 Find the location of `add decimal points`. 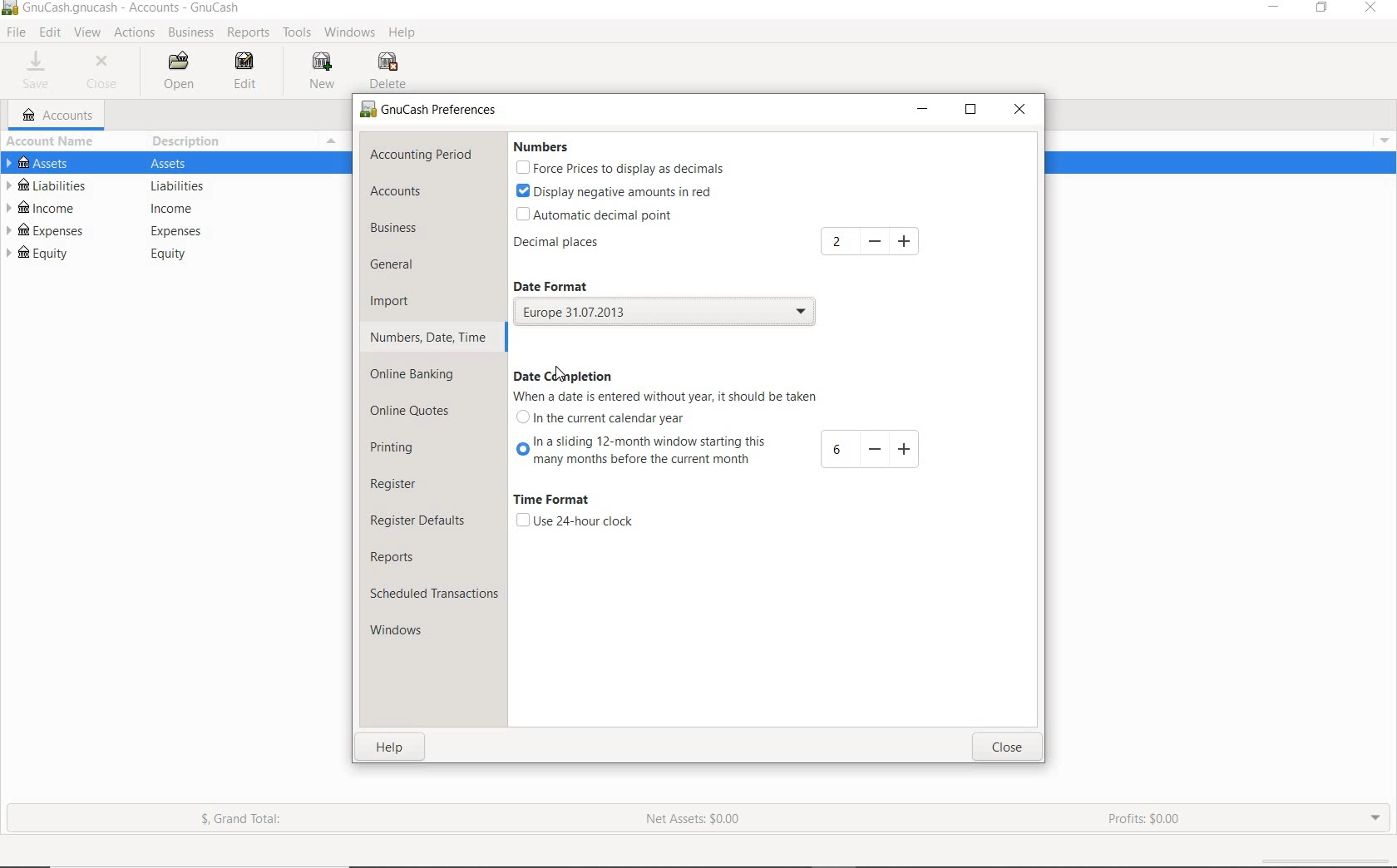

add decimal points is located at coordinates (873, 241).